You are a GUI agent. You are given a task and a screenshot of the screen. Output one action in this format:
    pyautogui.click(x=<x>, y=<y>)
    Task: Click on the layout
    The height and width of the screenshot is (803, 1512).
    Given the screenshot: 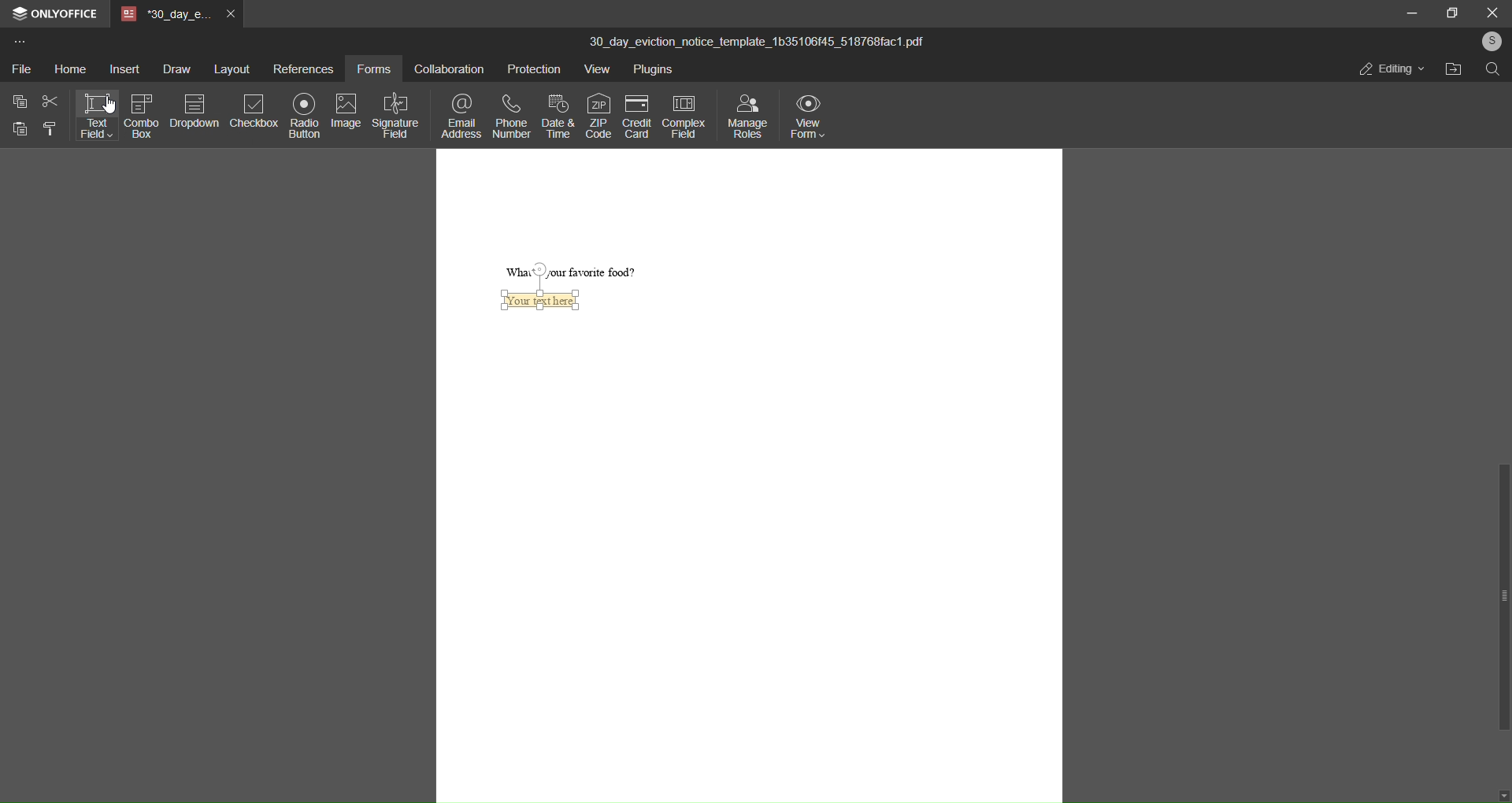 What is the action you would take?
    pyautogui.click(x=229, y=68)
    